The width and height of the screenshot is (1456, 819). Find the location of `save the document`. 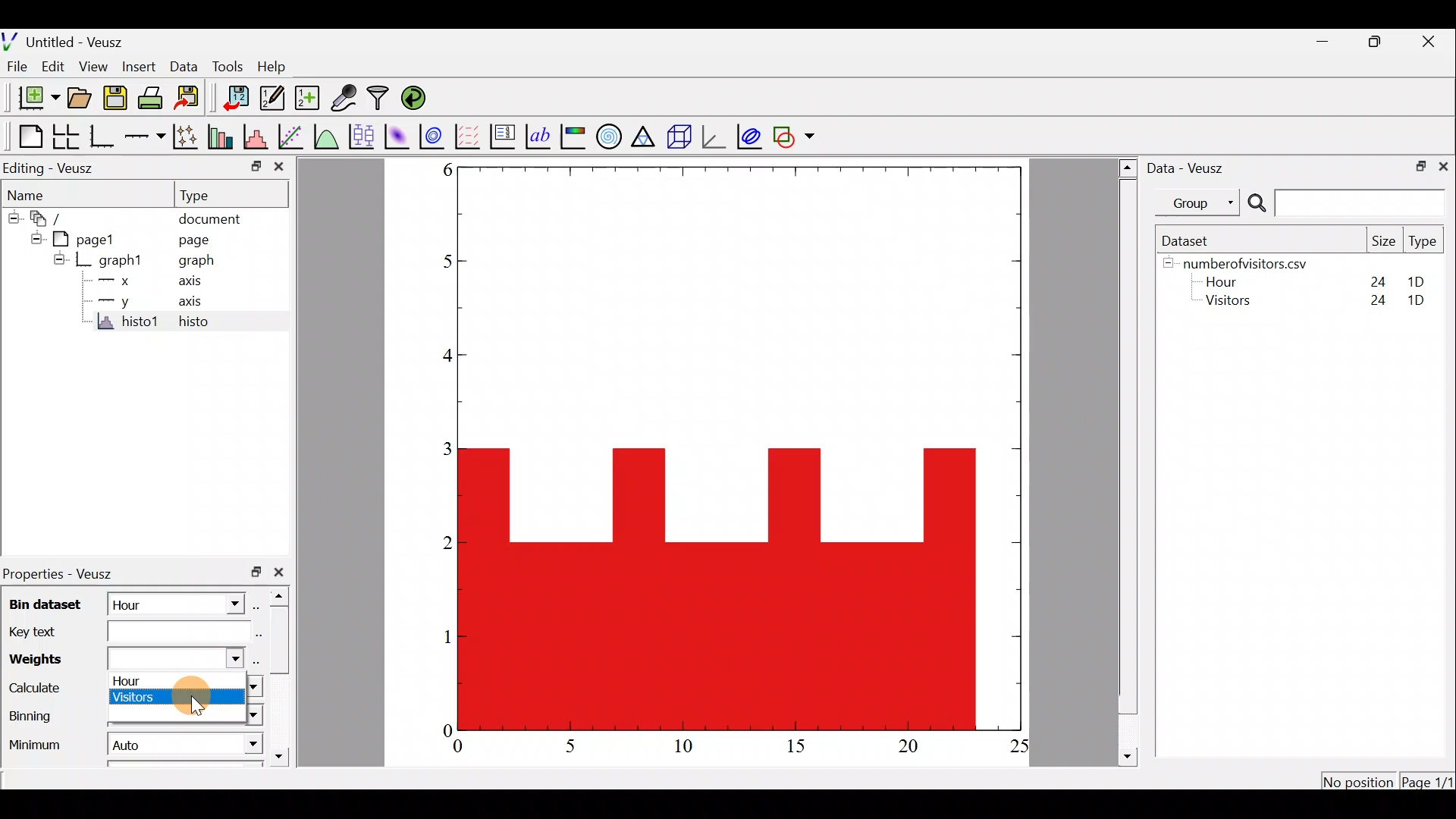

save the document is located at coordinates (115, 99).